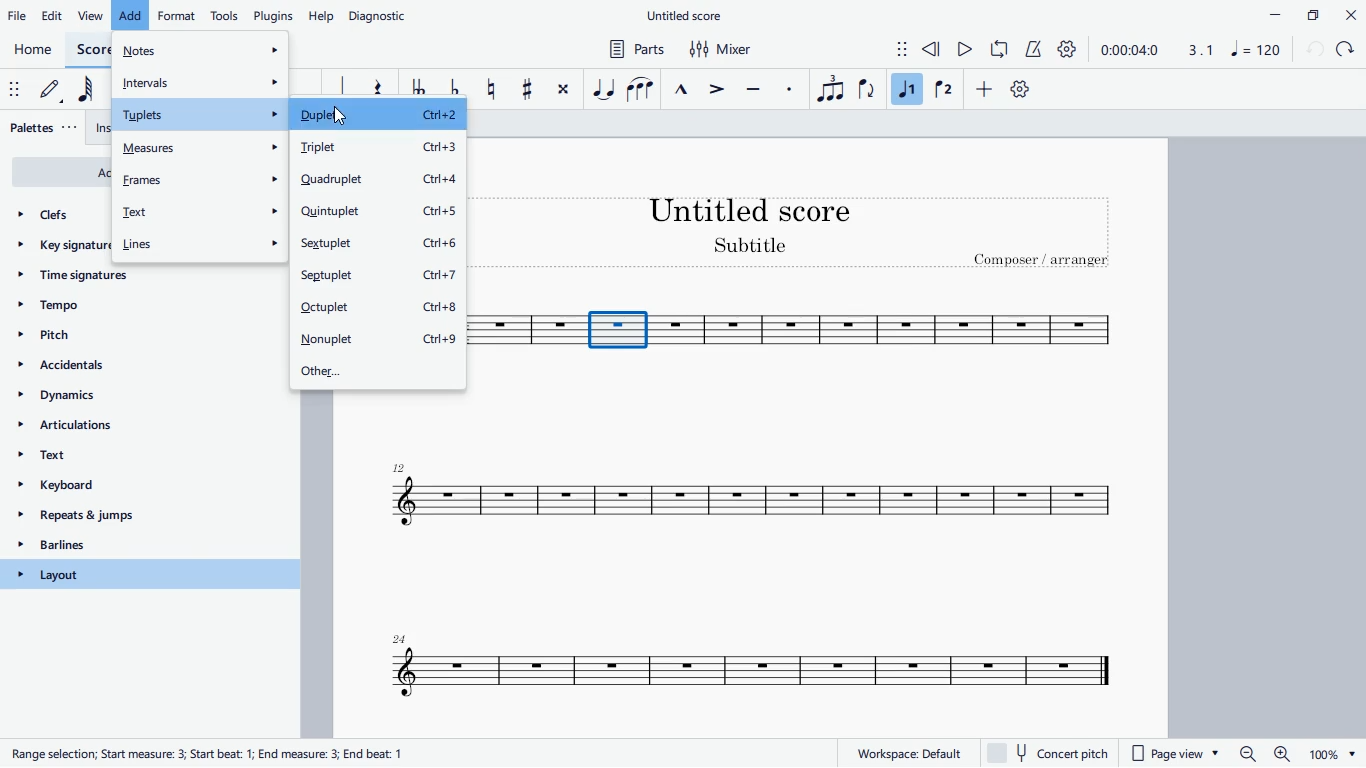 This screenshot has height=768, width=1366. I want to click on barlines, so click(131, 547).